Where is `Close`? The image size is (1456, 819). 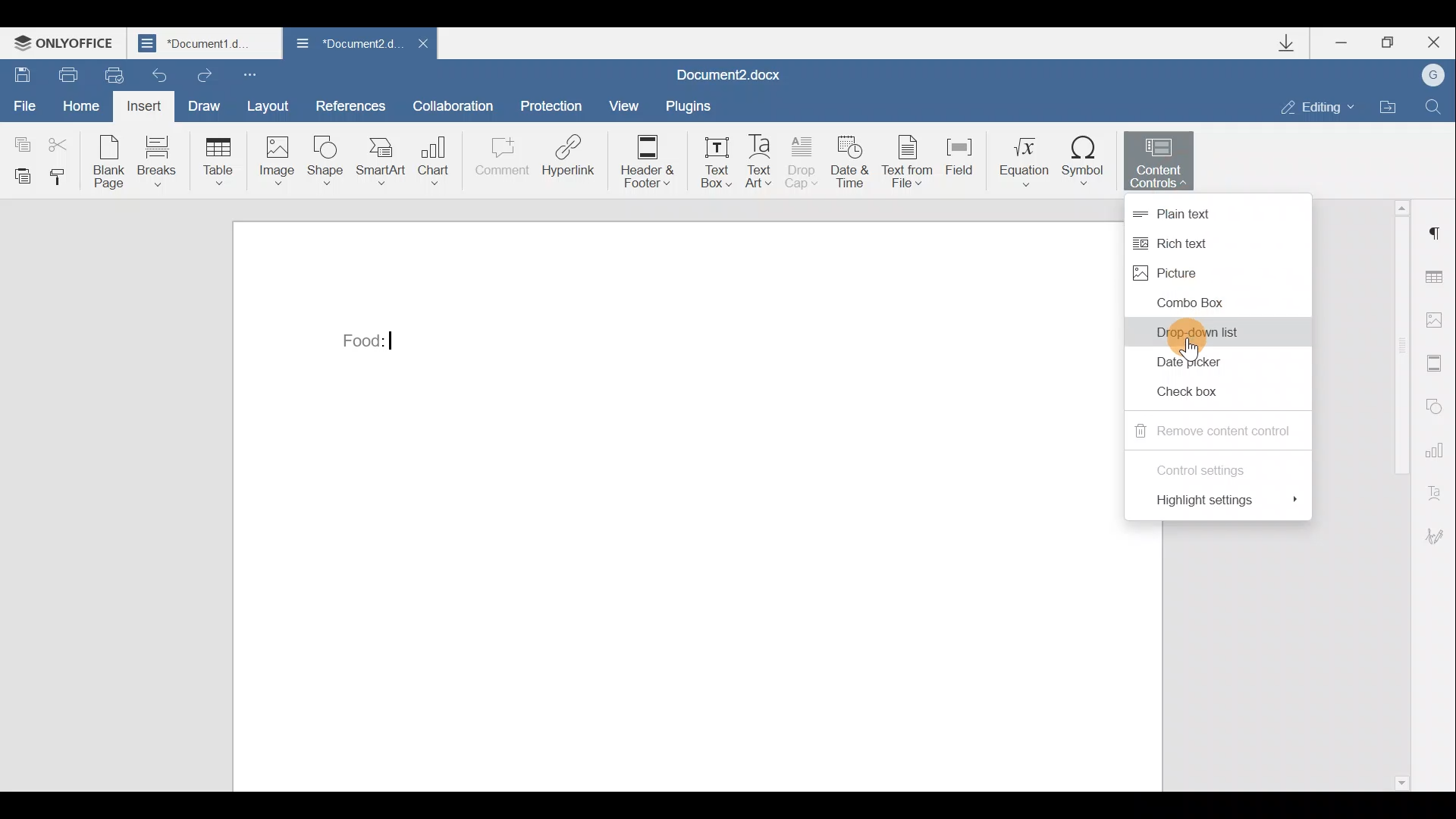 Close is located at coordinates (422, 48).